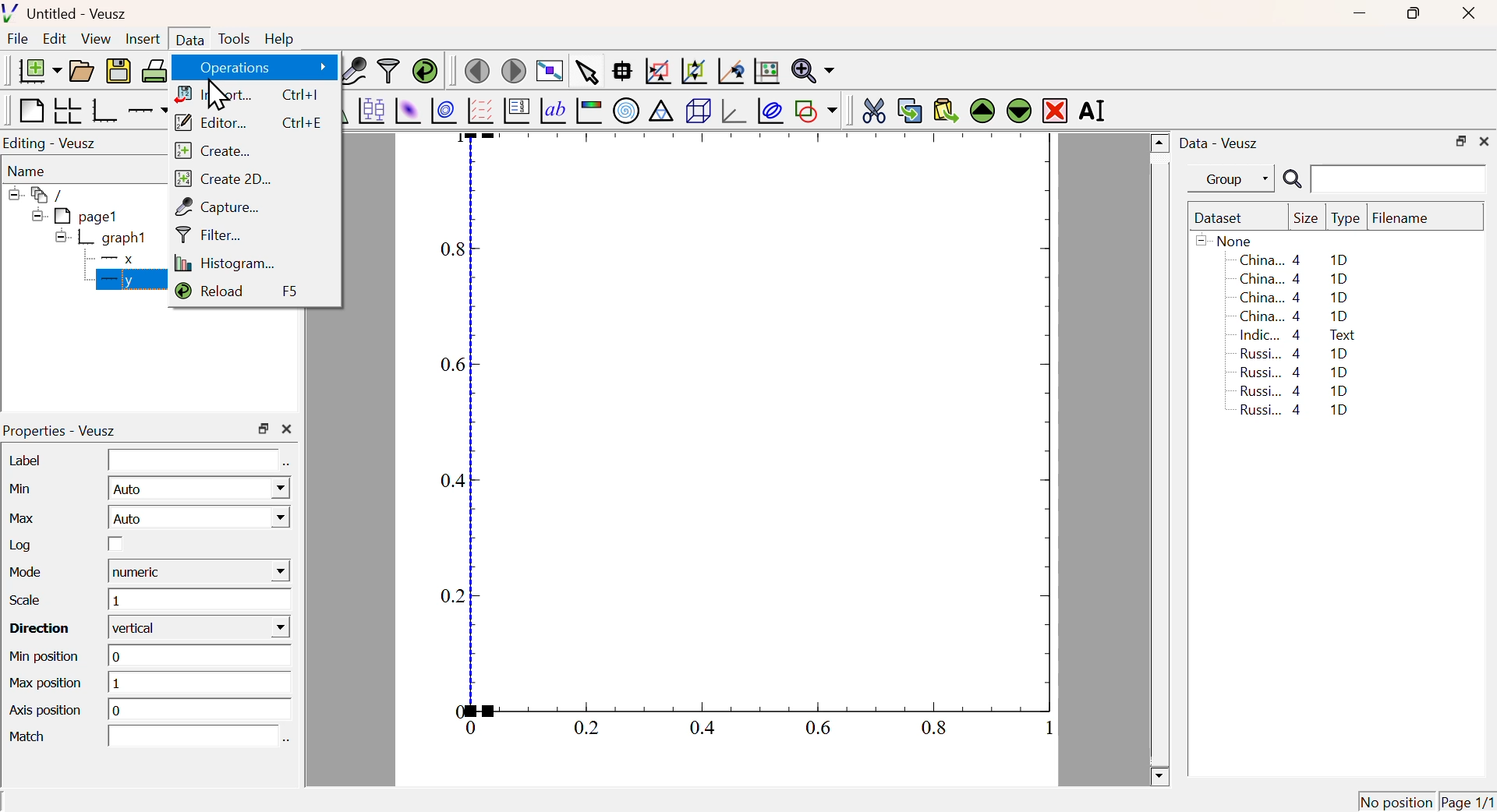 The width and height of the screenshot is (1497, 812). What do you see at coordinates (289, 291) in the screenshot?
I see `F5` at bounding box center [289, 291].